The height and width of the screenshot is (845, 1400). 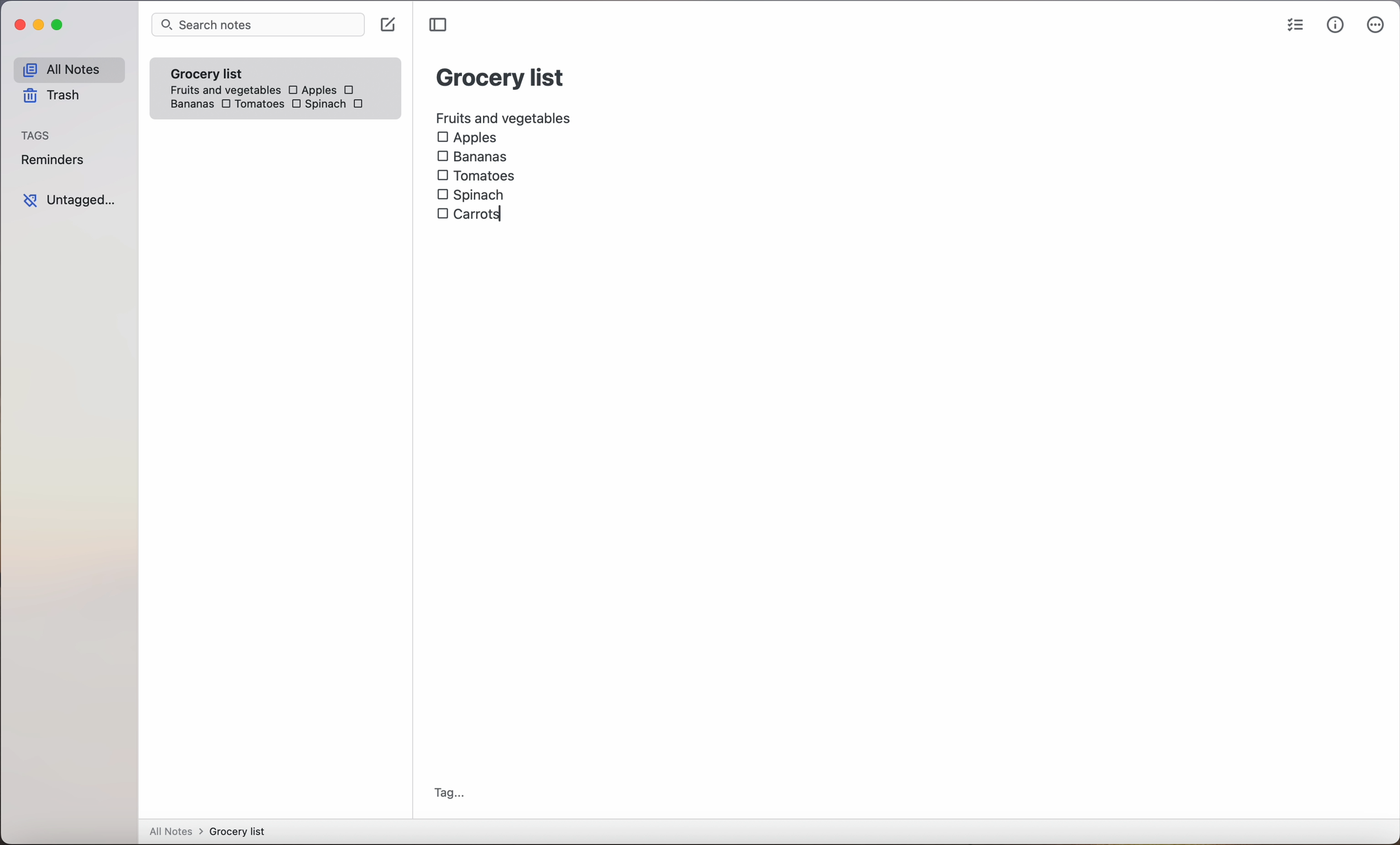 What do you see at coordinates (1335, 26) in the screenshot?
I see `metrics` at bounding box center [1335, 26].